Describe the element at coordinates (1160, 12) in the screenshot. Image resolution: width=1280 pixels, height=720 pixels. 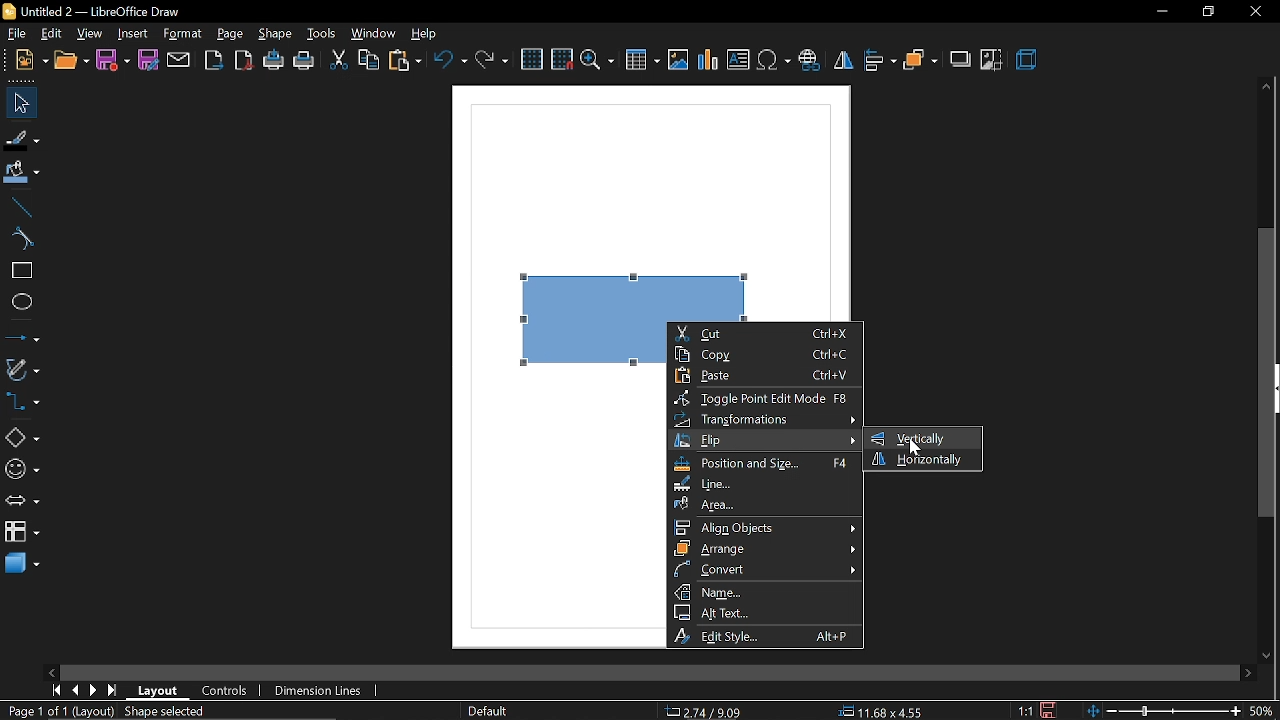
I see `minimize` at that location.